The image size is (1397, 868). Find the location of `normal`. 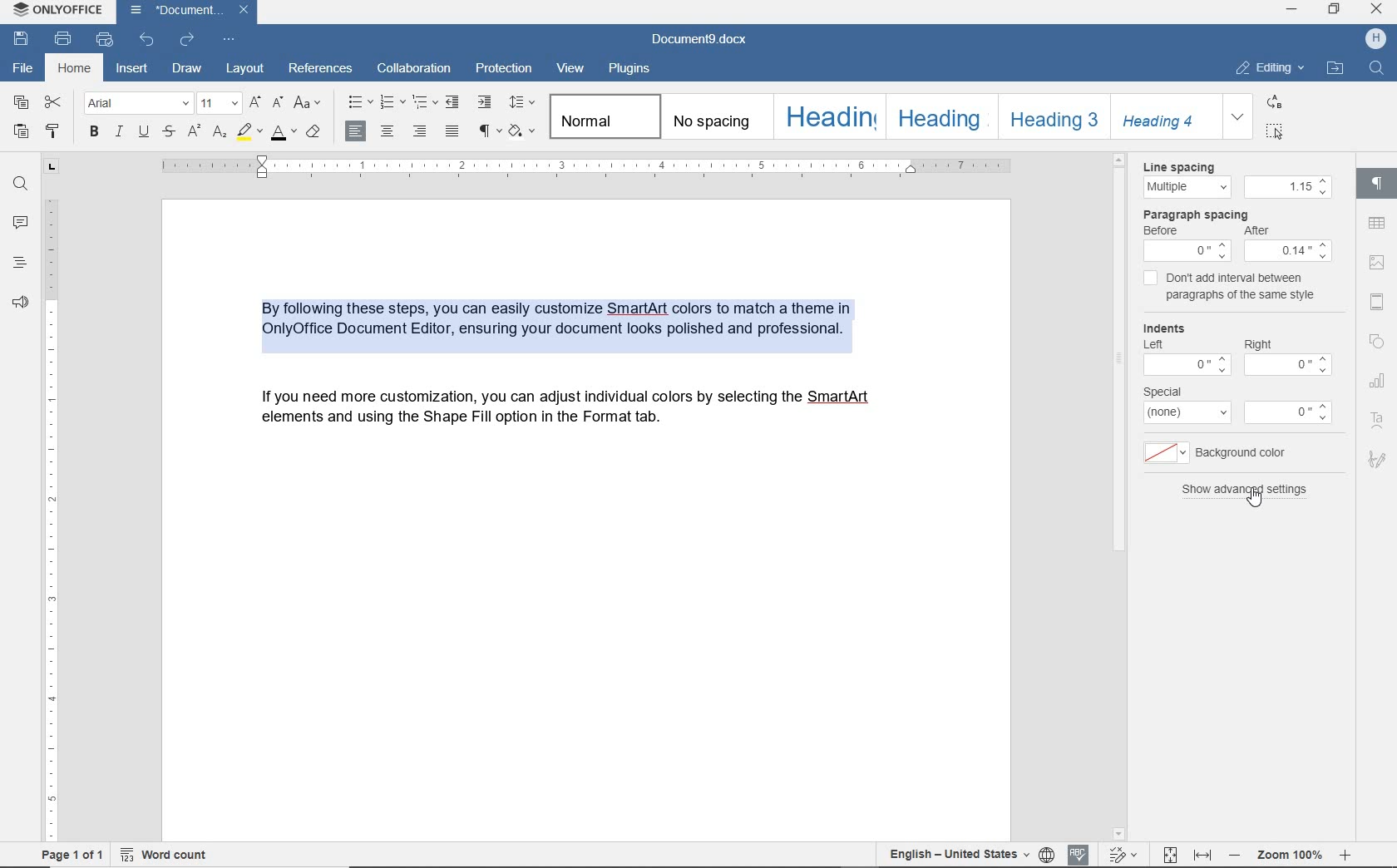

normal is located at coordinates (604, 116).